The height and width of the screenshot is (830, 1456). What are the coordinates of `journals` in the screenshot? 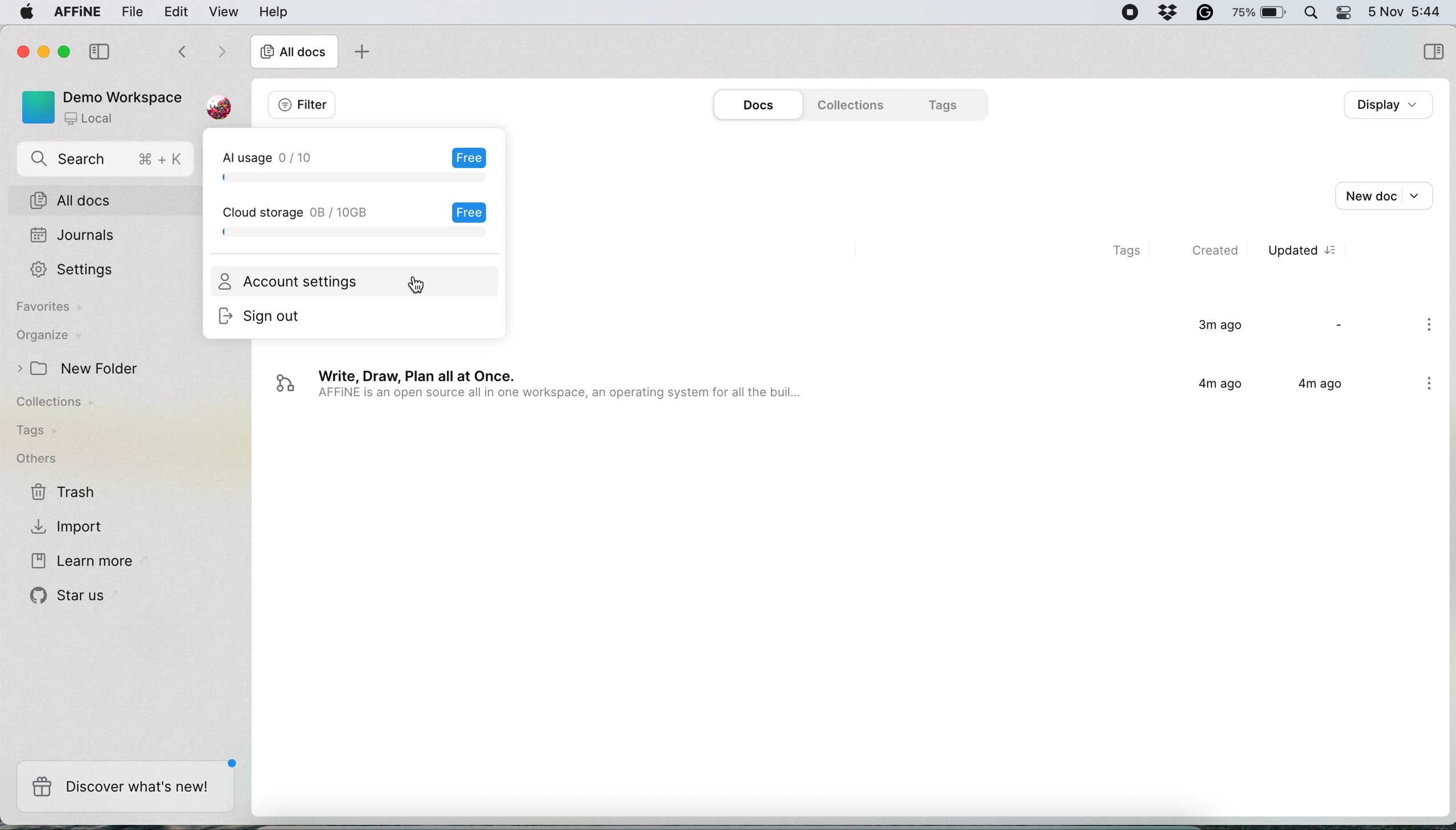 It's located at (72, 237).